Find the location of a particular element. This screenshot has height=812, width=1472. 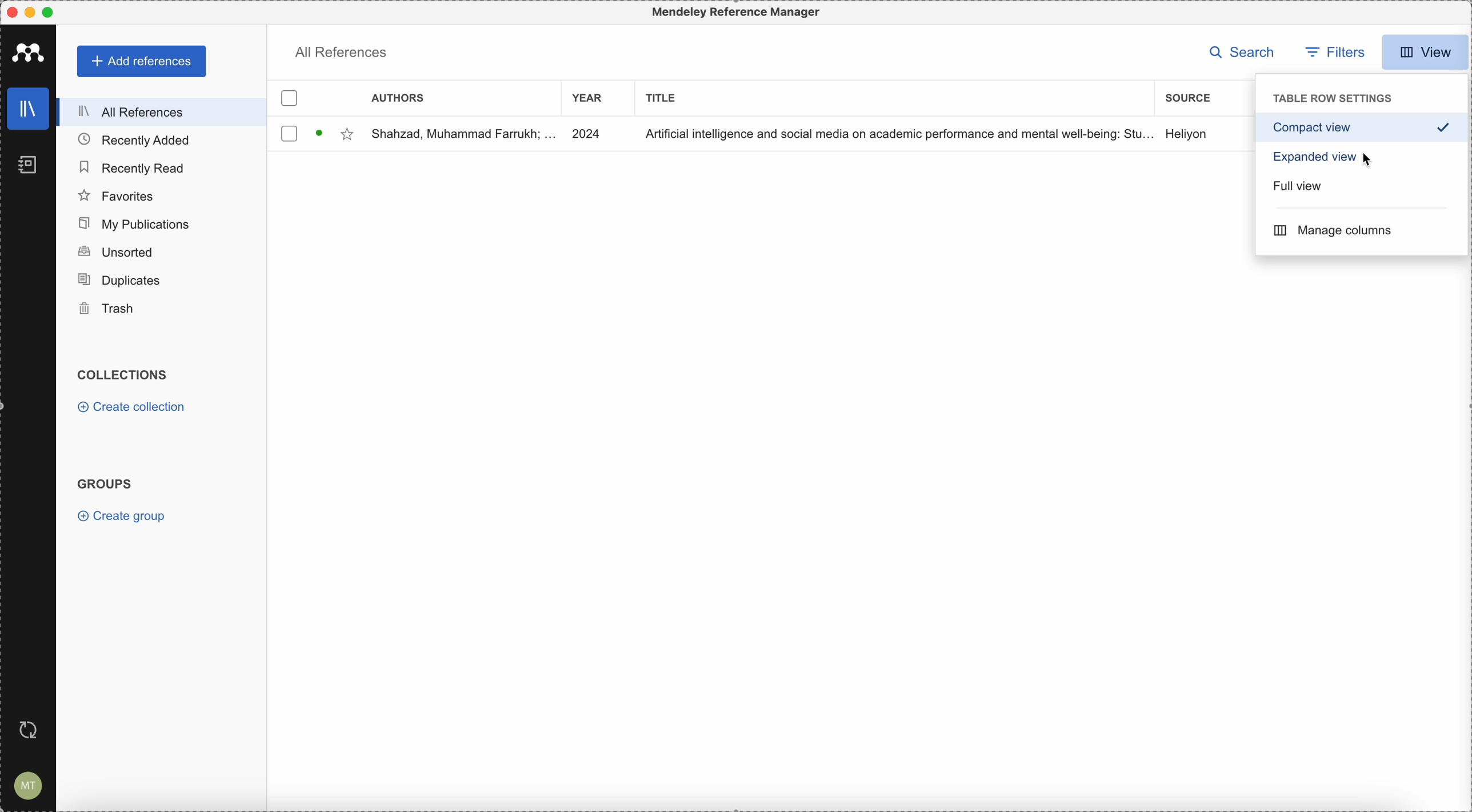

favorites is located at coordinates (117, 196).